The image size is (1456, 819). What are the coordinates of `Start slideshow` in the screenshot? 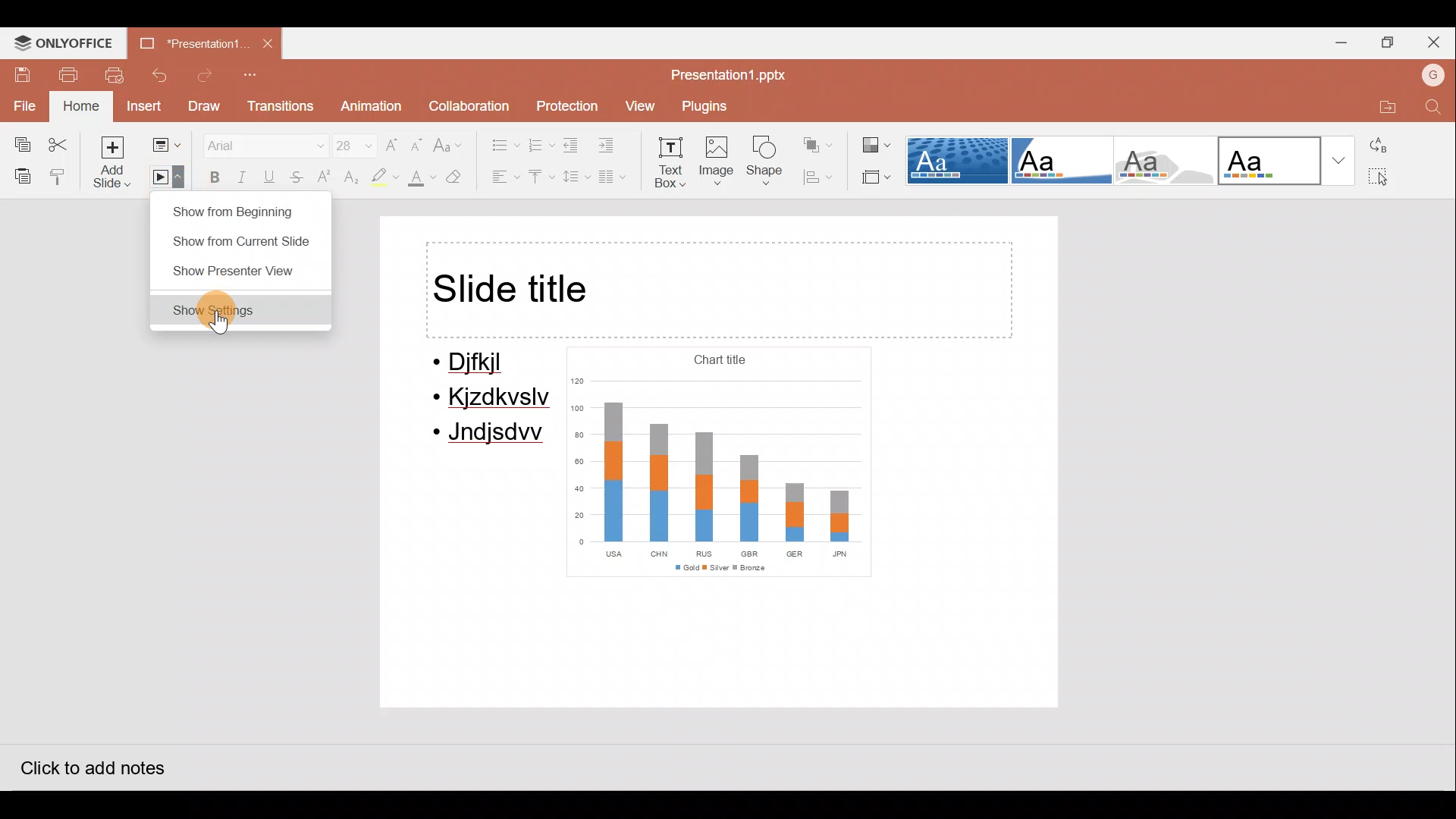 It's located at (165, 180).